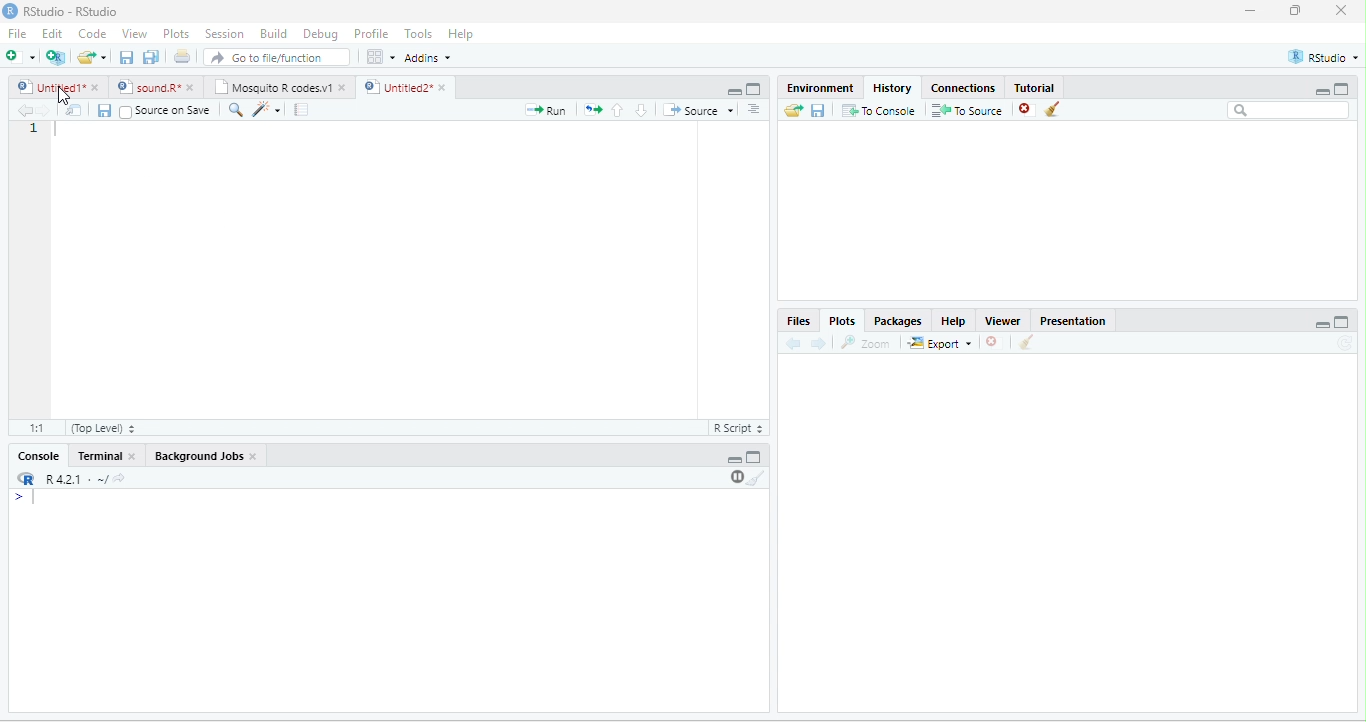 This screenshot has height=722, width=1366. Describe the element at coordinates (428, 58) in the screenshot. I see `Addins` at that location.